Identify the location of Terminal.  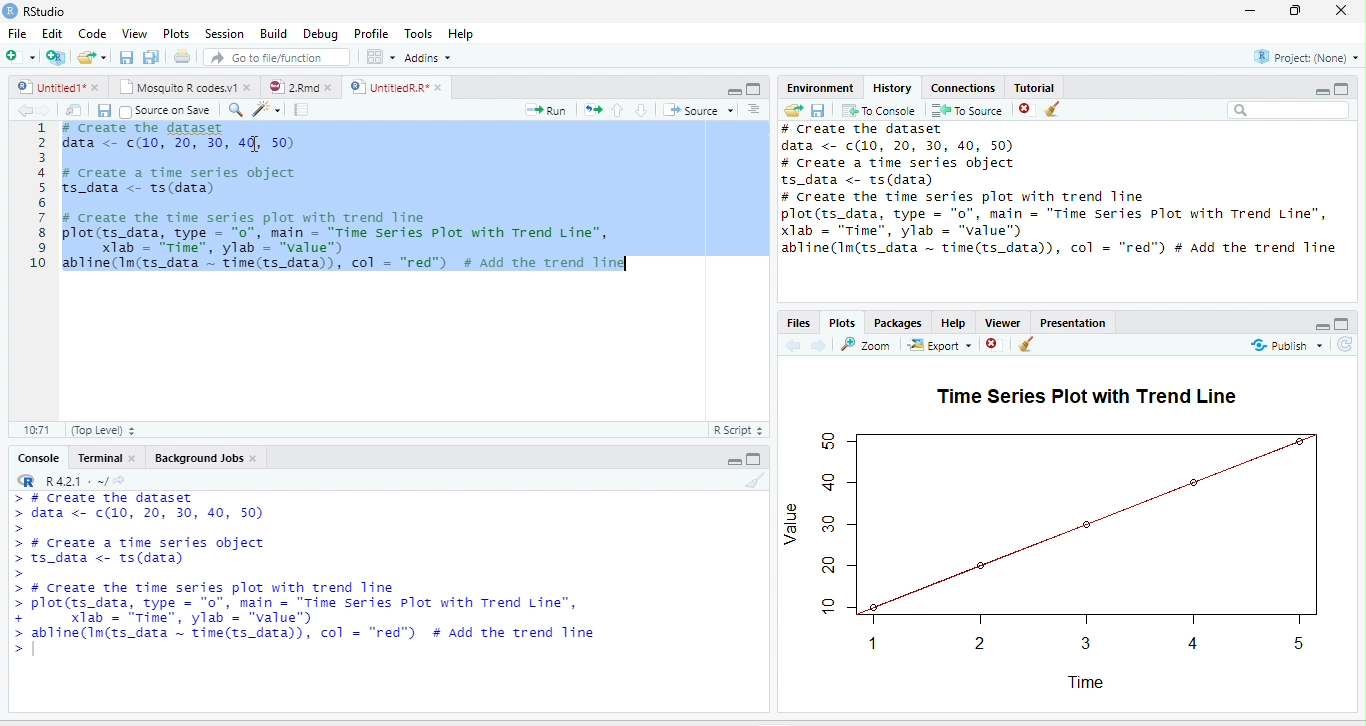
(97, 458).